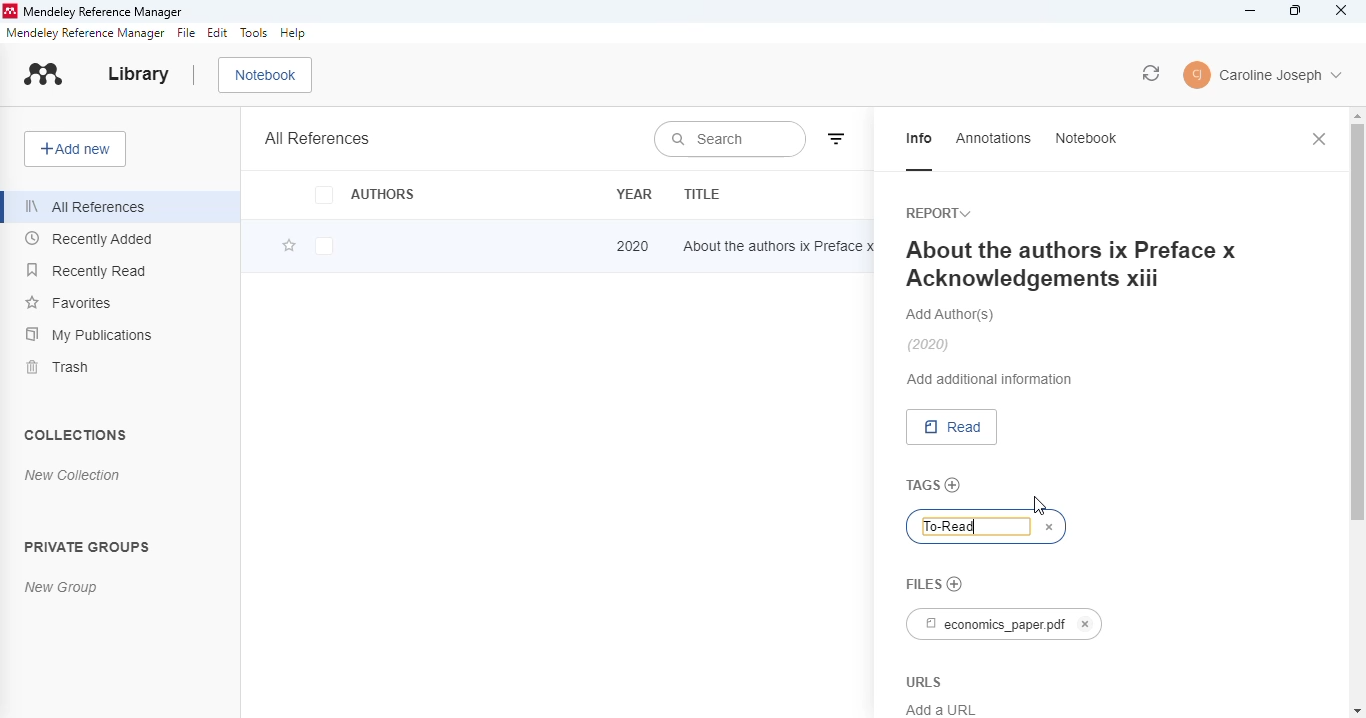 Image resolution: width=1366 pixels, height=718 pixels. Describe the element at coordinates (925, 582) in the screenshot. I see `files` at that location.